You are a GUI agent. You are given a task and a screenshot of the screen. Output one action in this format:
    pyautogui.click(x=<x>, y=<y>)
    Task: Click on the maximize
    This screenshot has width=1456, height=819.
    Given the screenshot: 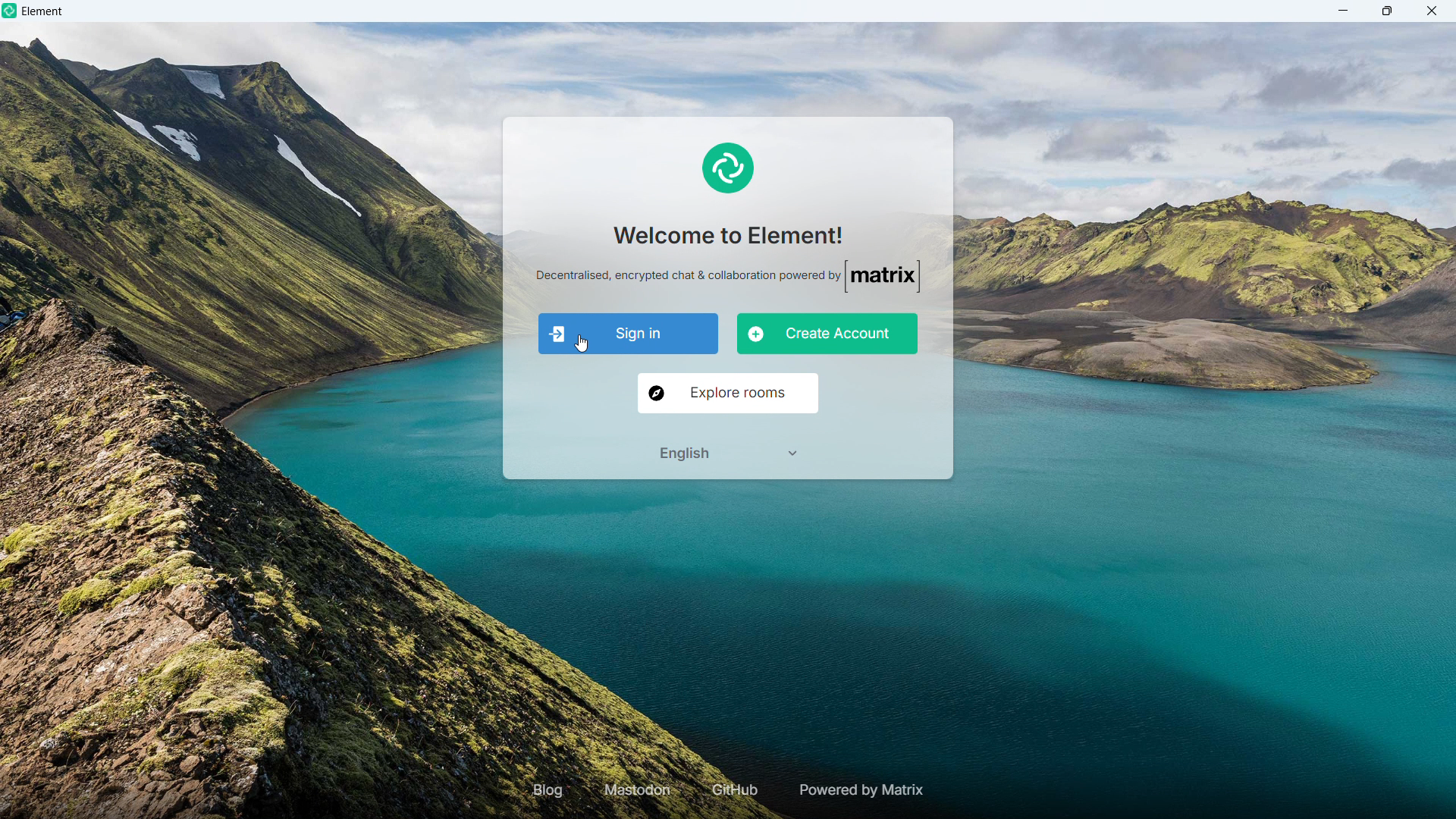 What is the action you would take?
    pyautogui.click(x=1388, y=11)
    